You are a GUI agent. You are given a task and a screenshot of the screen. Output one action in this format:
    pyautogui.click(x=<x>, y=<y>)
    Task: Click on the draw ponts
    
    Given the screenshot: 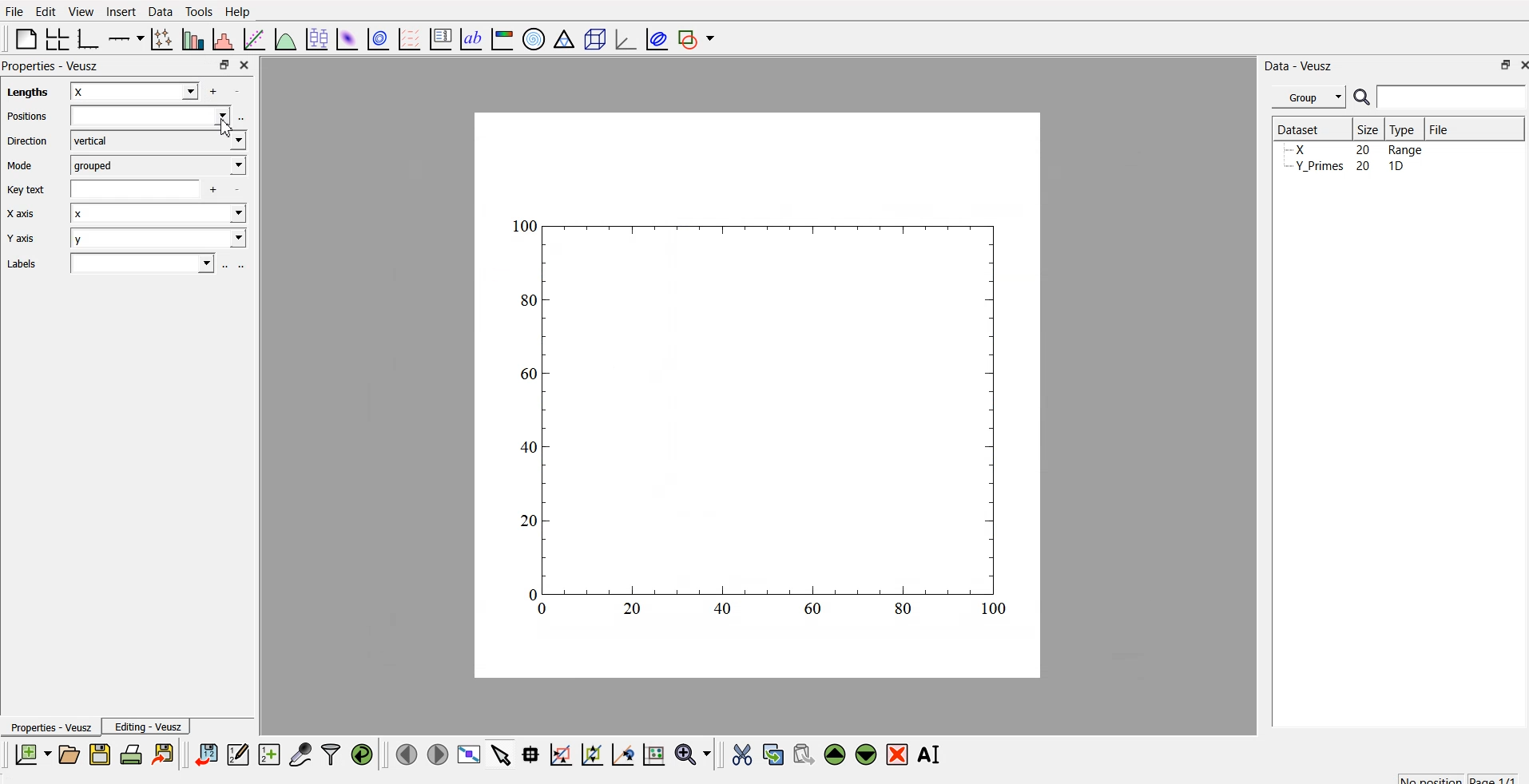 What is the action you would take?
    pyautogui.click(x=591, y=754)
    